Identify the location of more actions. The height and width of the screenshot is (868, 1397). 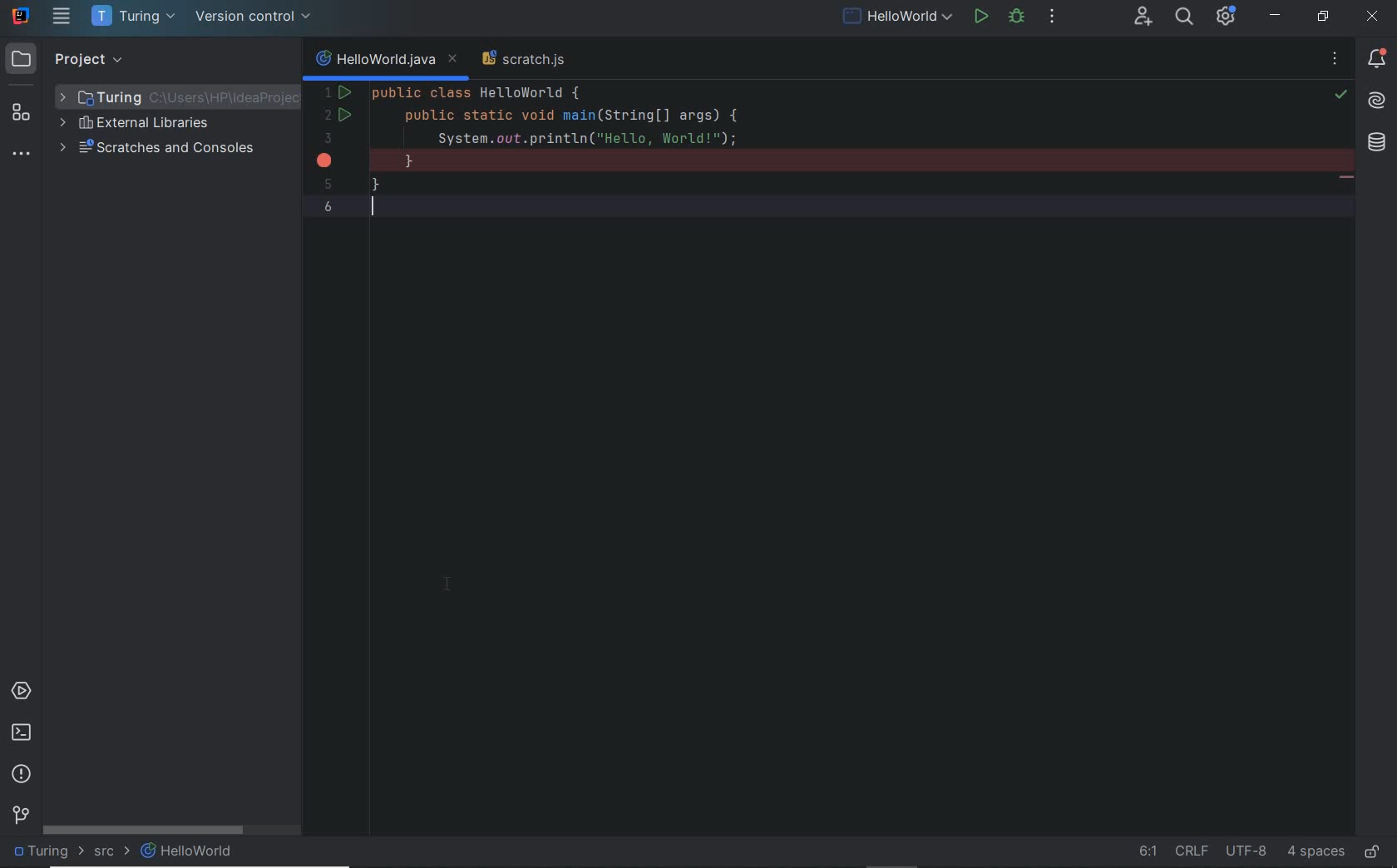
(1051, 19).